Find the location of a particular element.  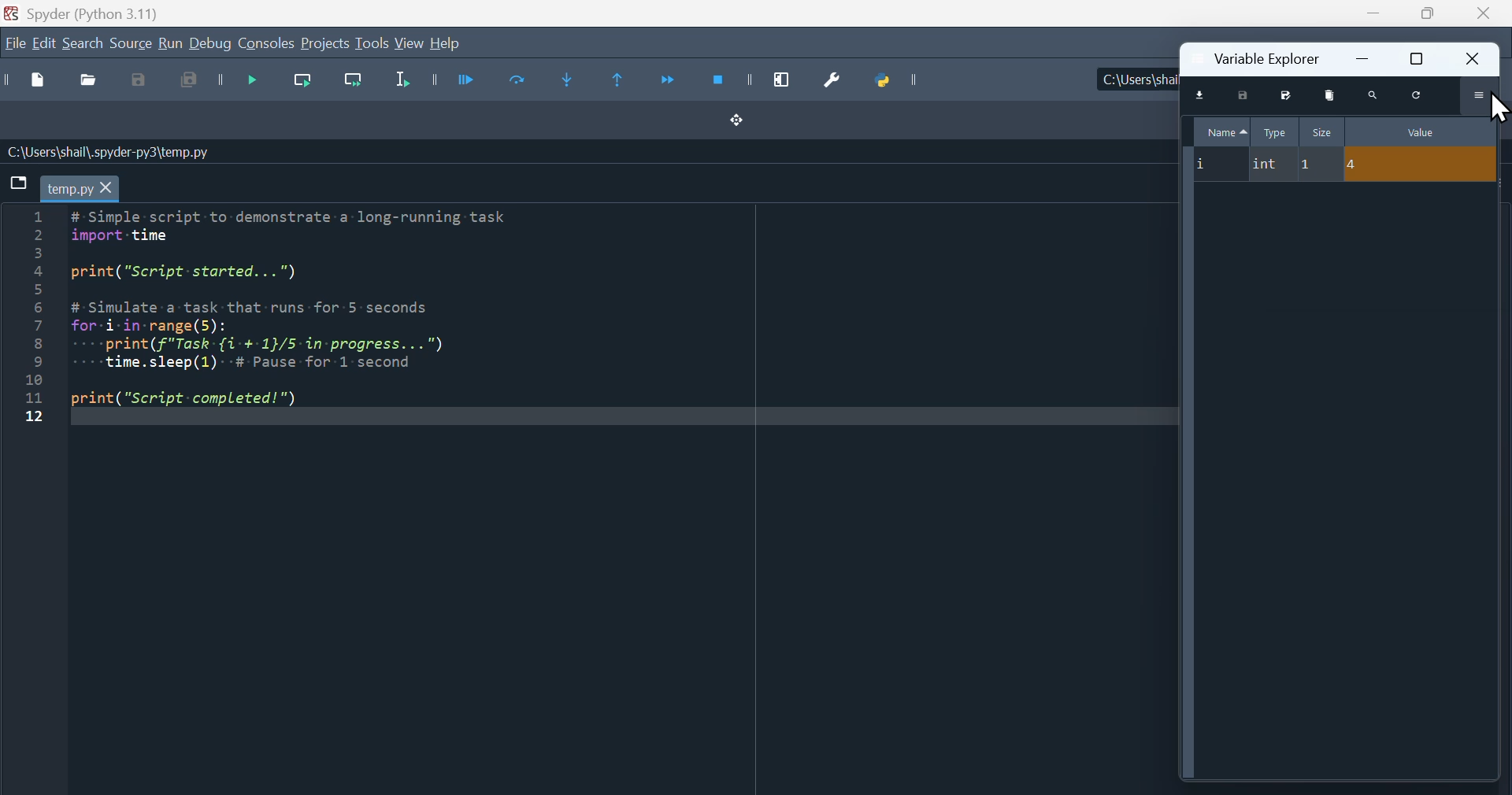

edit is located at coordinates (44, 44).